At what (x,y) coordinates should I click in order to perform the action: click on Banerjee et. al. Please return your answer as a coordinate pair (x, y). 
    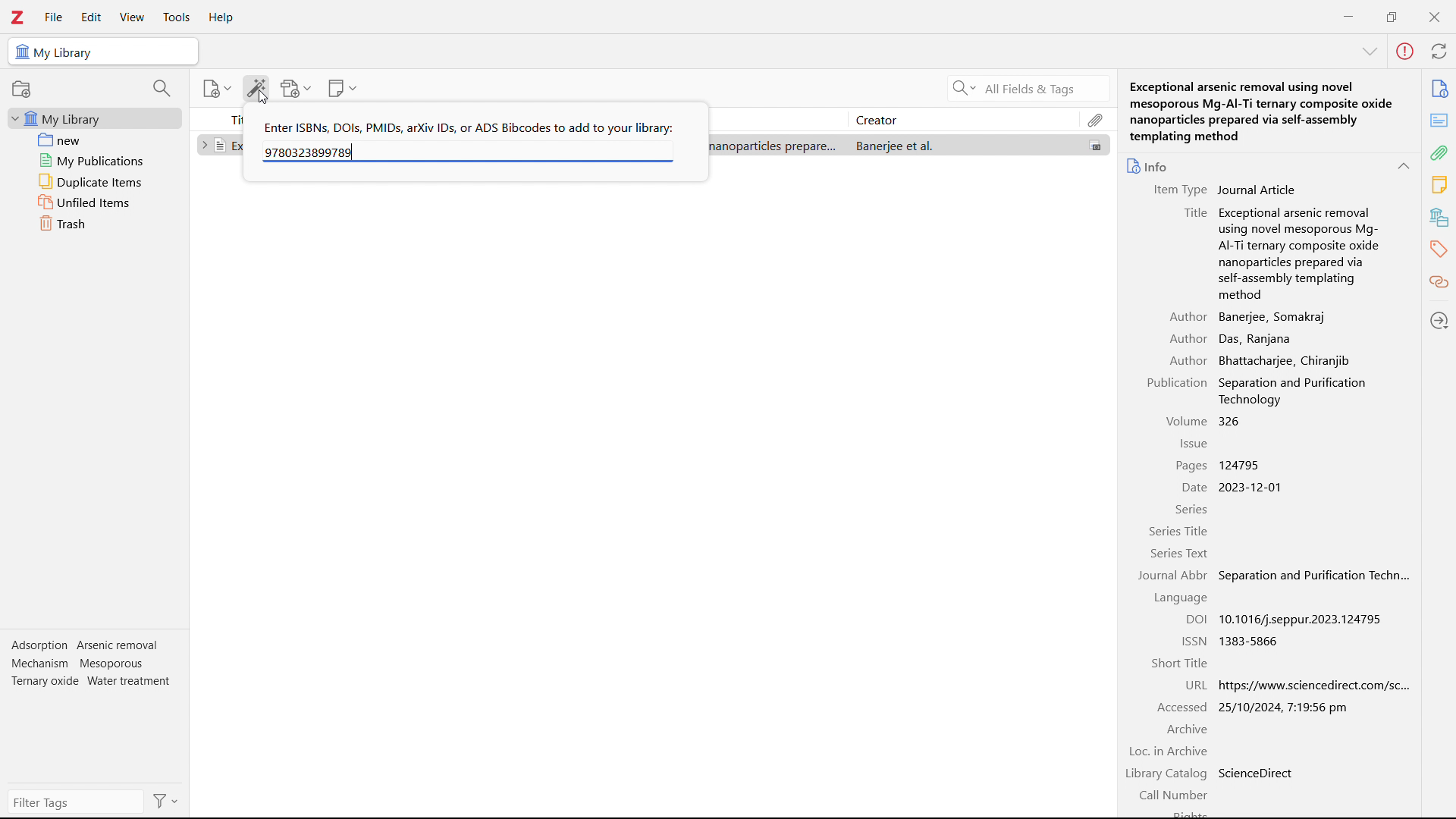
    Looking at the image, I should click on (962, 145).